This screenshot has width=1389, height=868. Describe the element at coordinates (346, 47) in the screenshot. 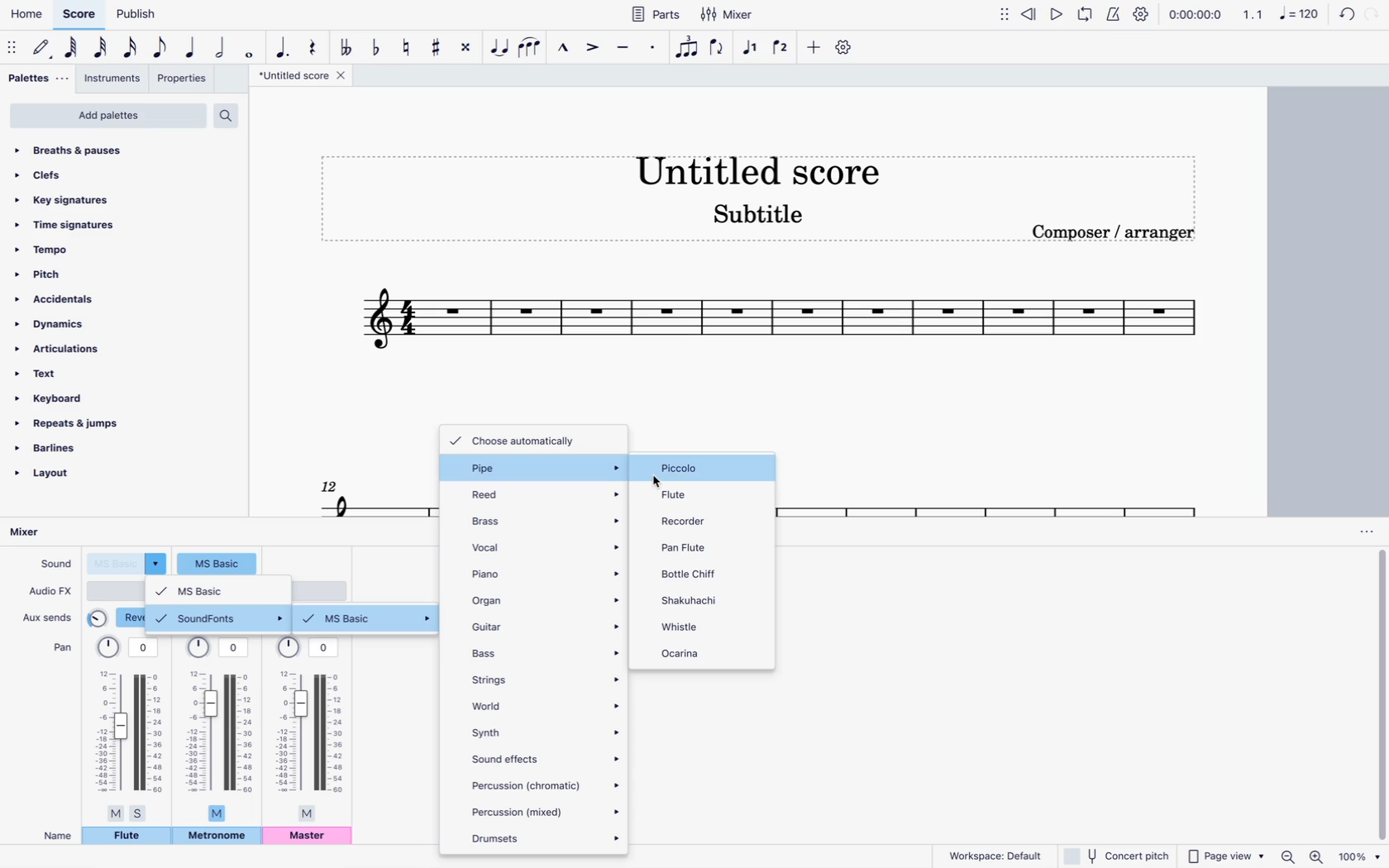

I see `toggle double flat` at that location.